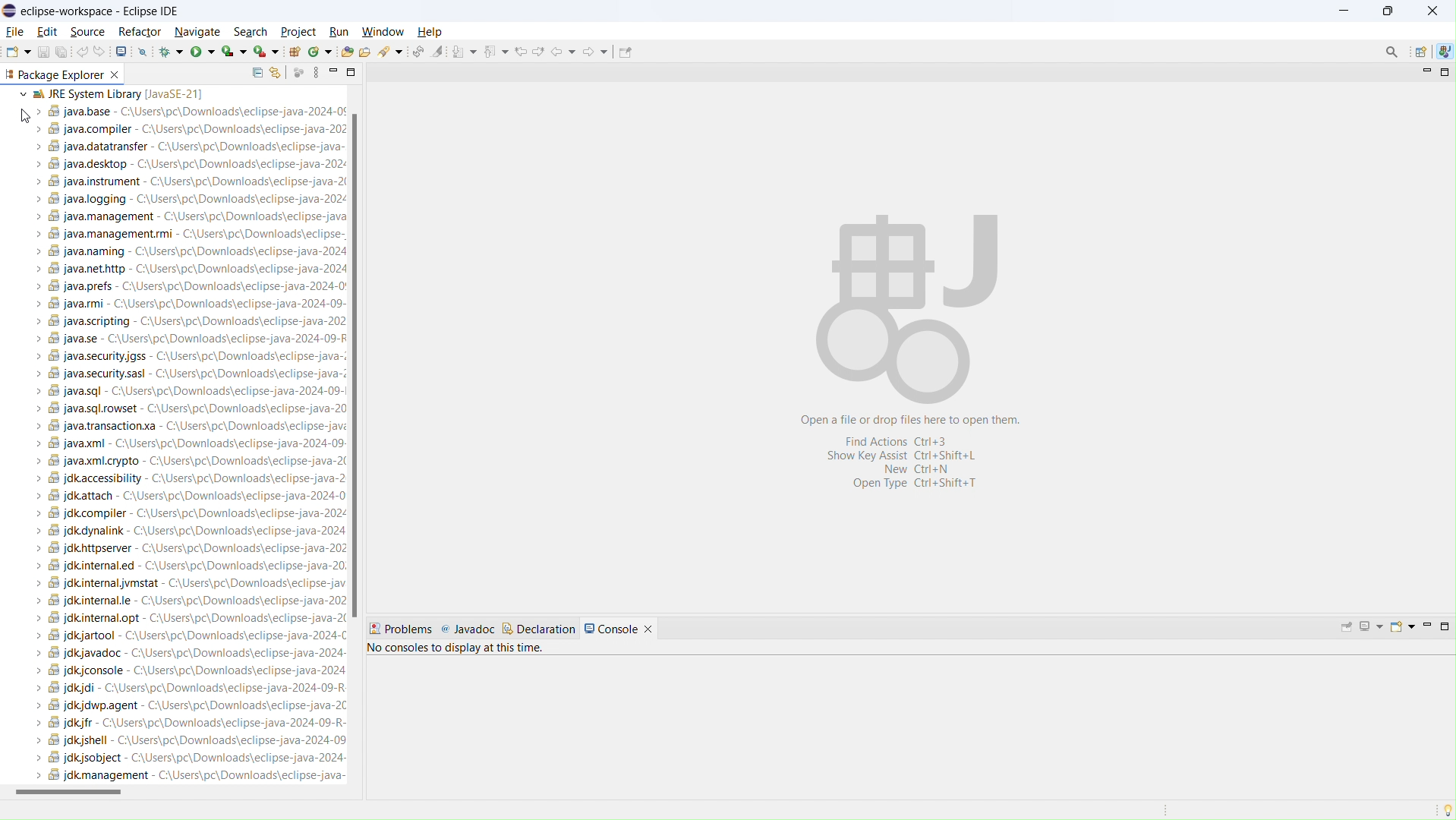  Describe the element at coordinates (1371, 627) in the screenshot. I see `display selected console` at that location.